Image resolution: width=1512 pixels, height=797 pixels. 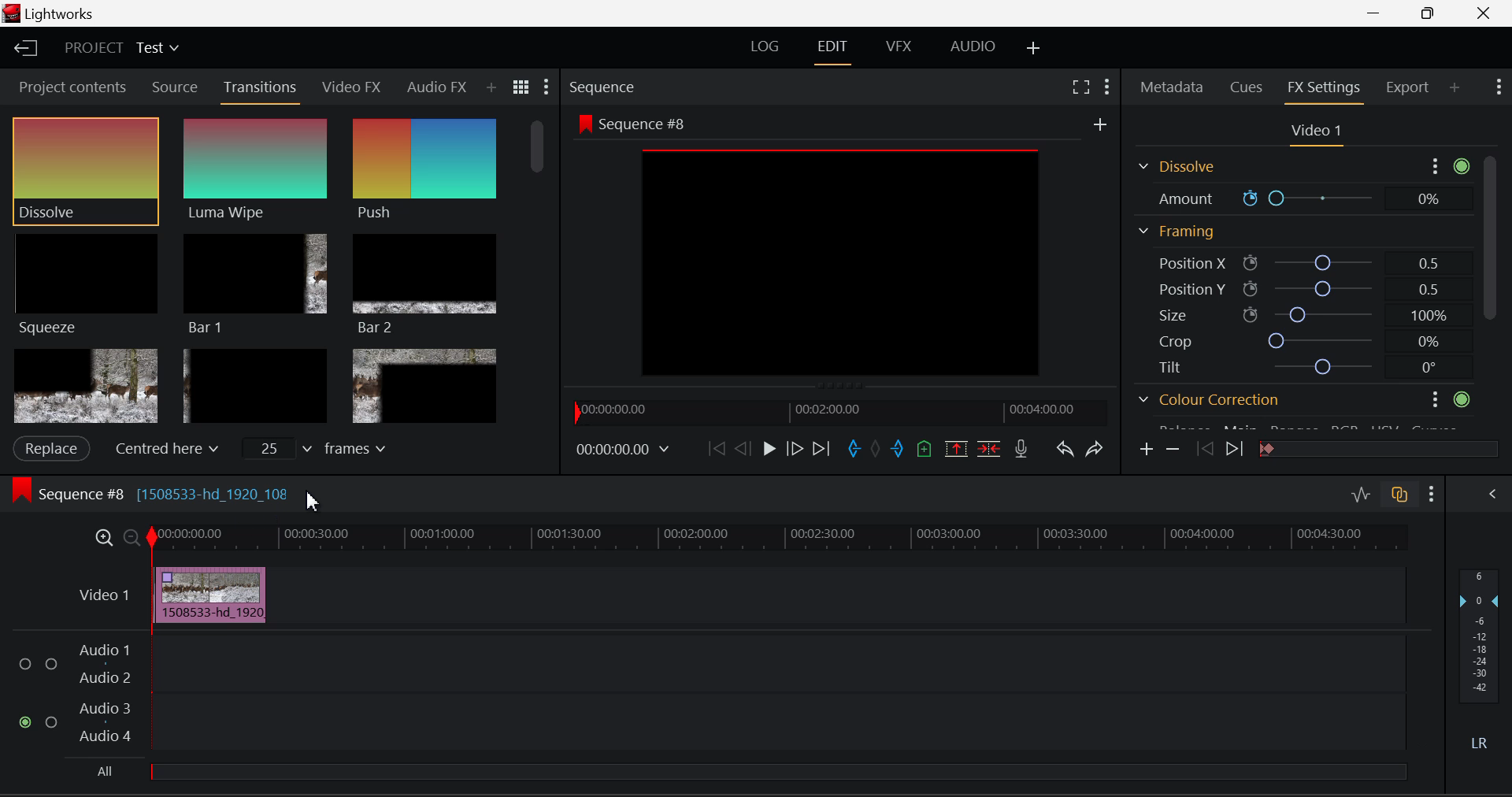 What do you see at coordinates (1483, 14) in the screenshot?
I see `Close` at bounding box center [1483, 14].